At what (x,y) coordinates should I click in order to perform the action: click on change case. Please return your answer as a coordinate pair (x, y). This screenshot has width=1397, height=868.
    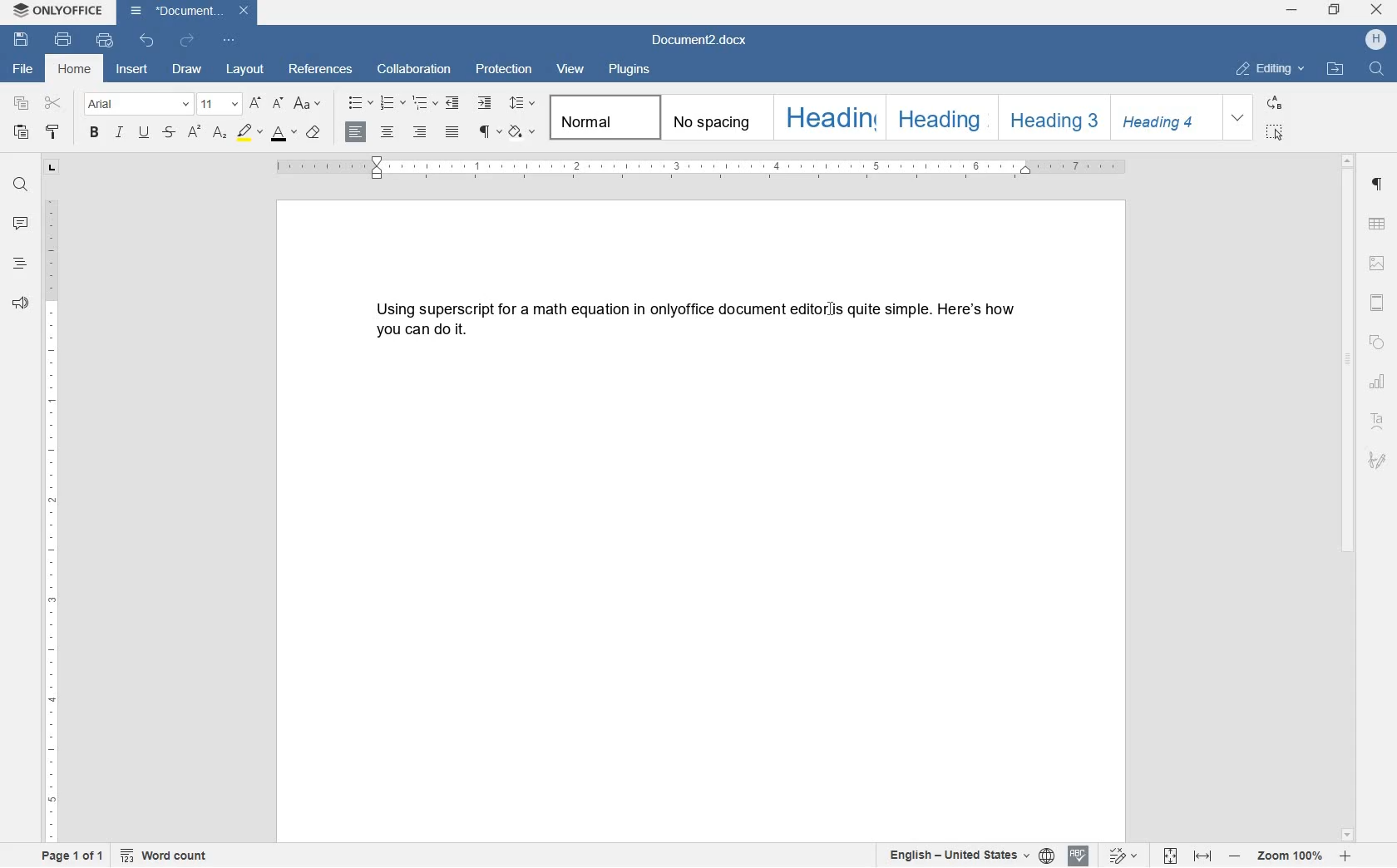
    Looking at the image, I should click on (309, 104).